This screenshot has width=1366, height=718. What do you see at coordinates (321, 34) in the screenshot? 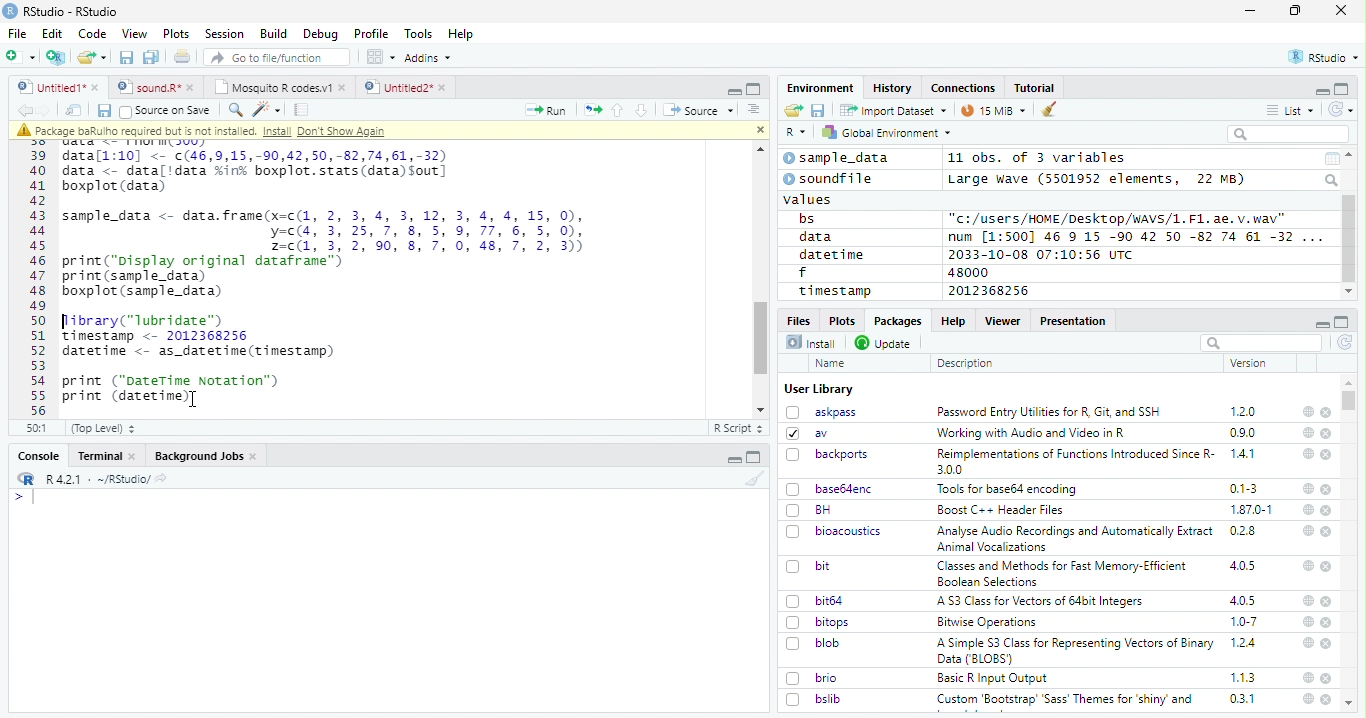
I see `Debug` at bounding box center [321, 34].